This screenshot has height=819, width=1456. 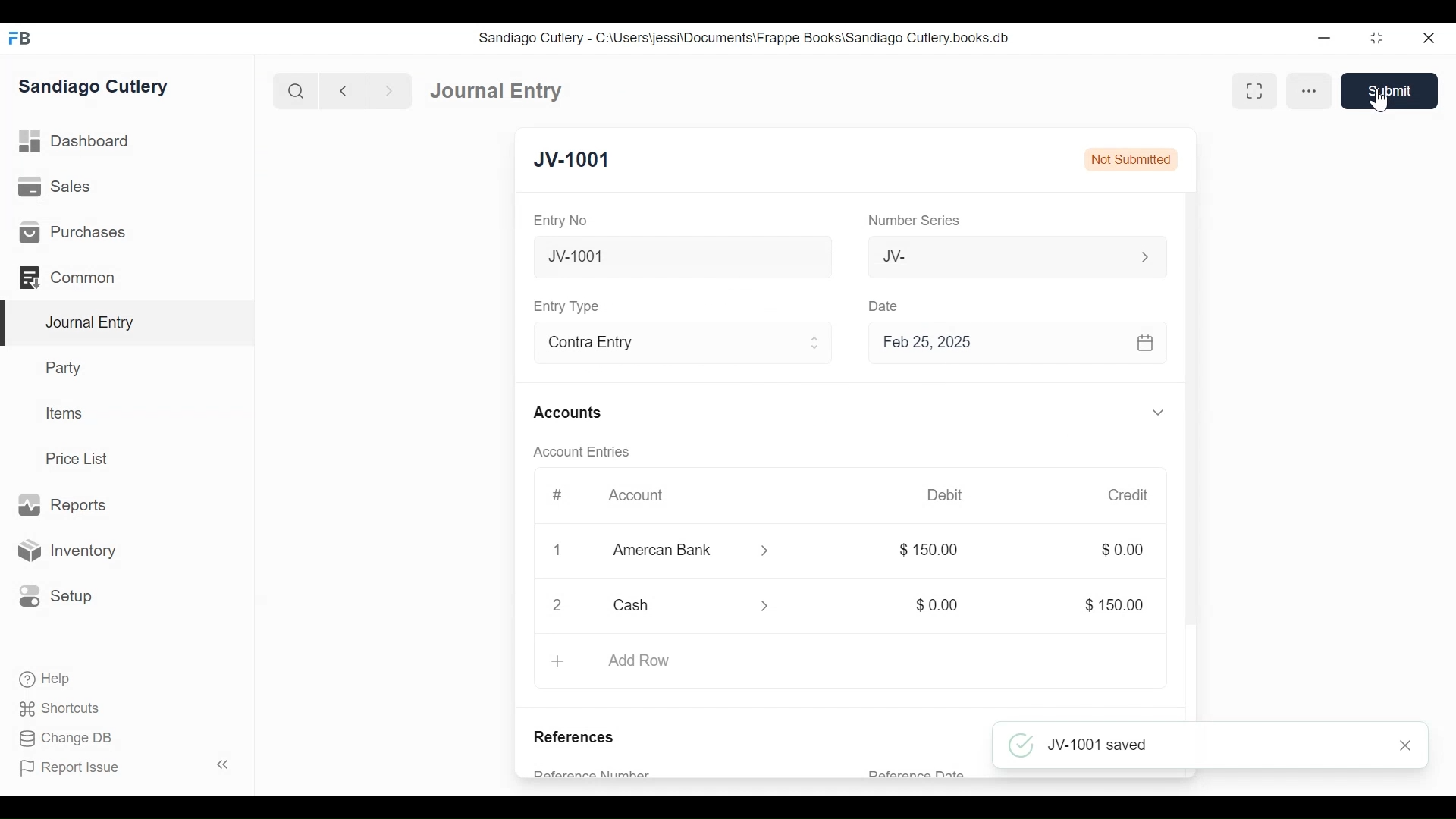 What do you see at coordinates (61, 506) in the screenshot?
I see `Reports` at bounding box center [61, 506].